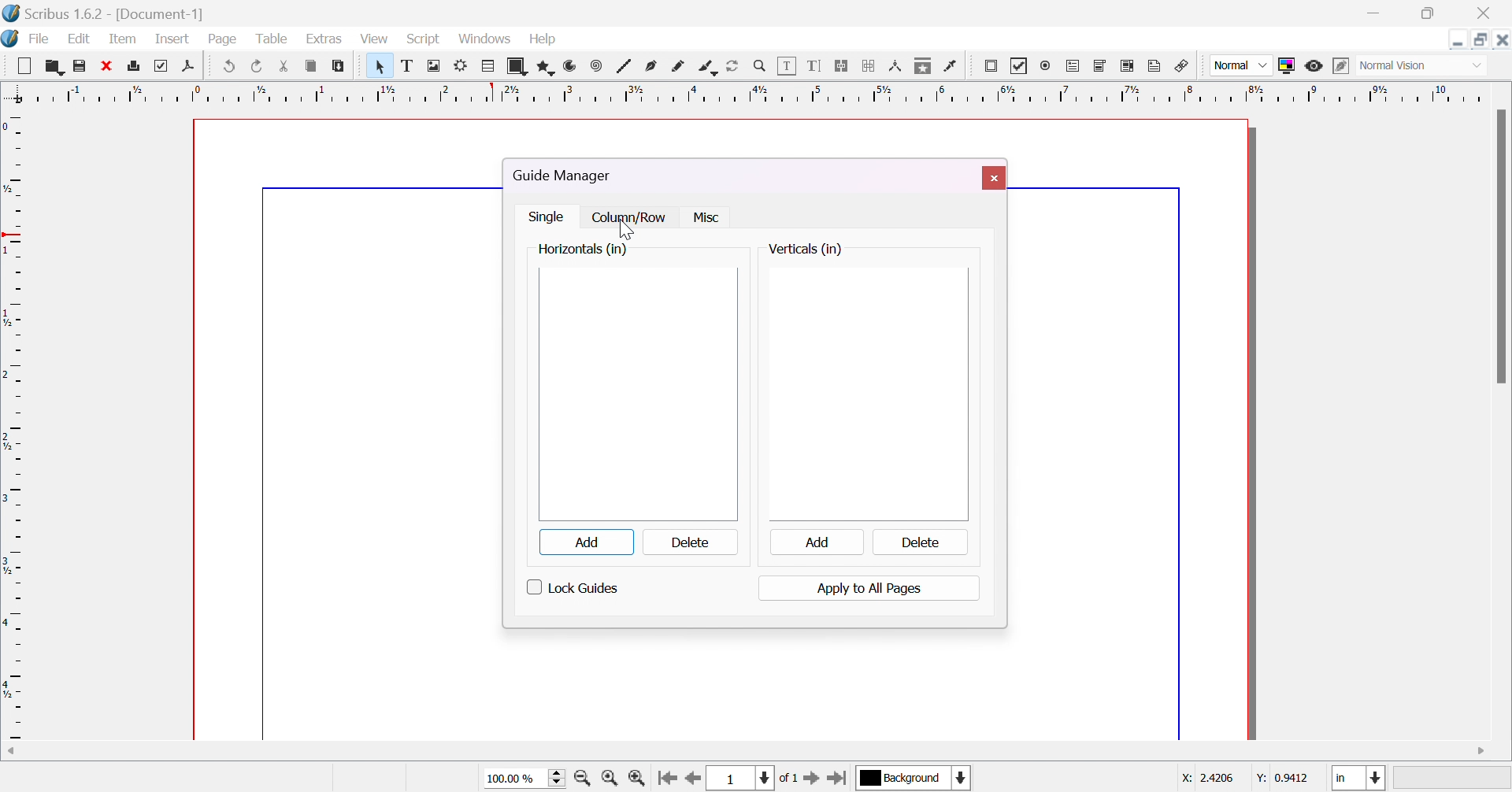  What do you see at coordinates (1021, 66) in the screenshot?
I see `PDF checkbox` at bounding box center [1021, 66].